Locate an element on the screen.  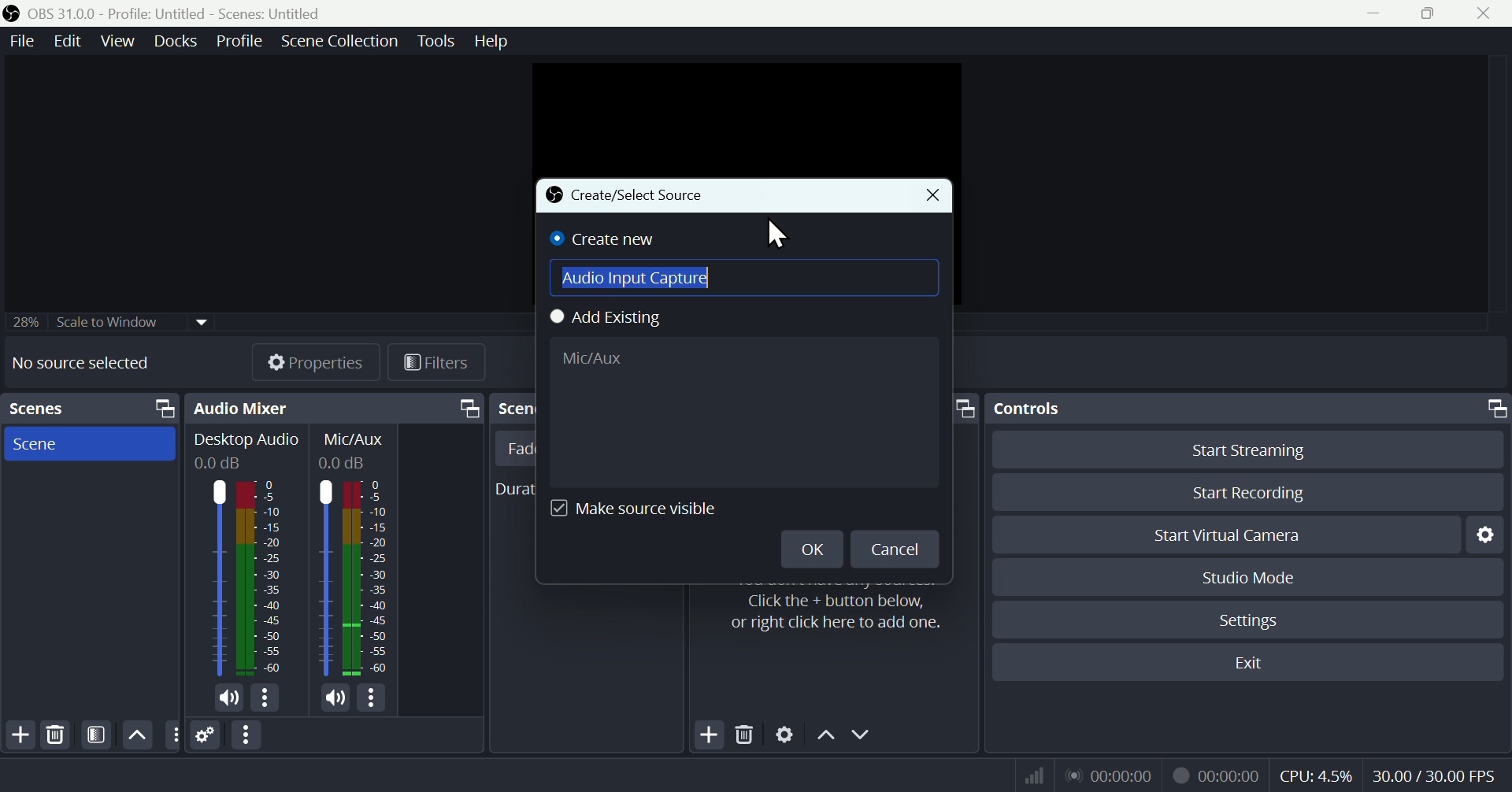
Start recording is located at coordinates (1251, 492).